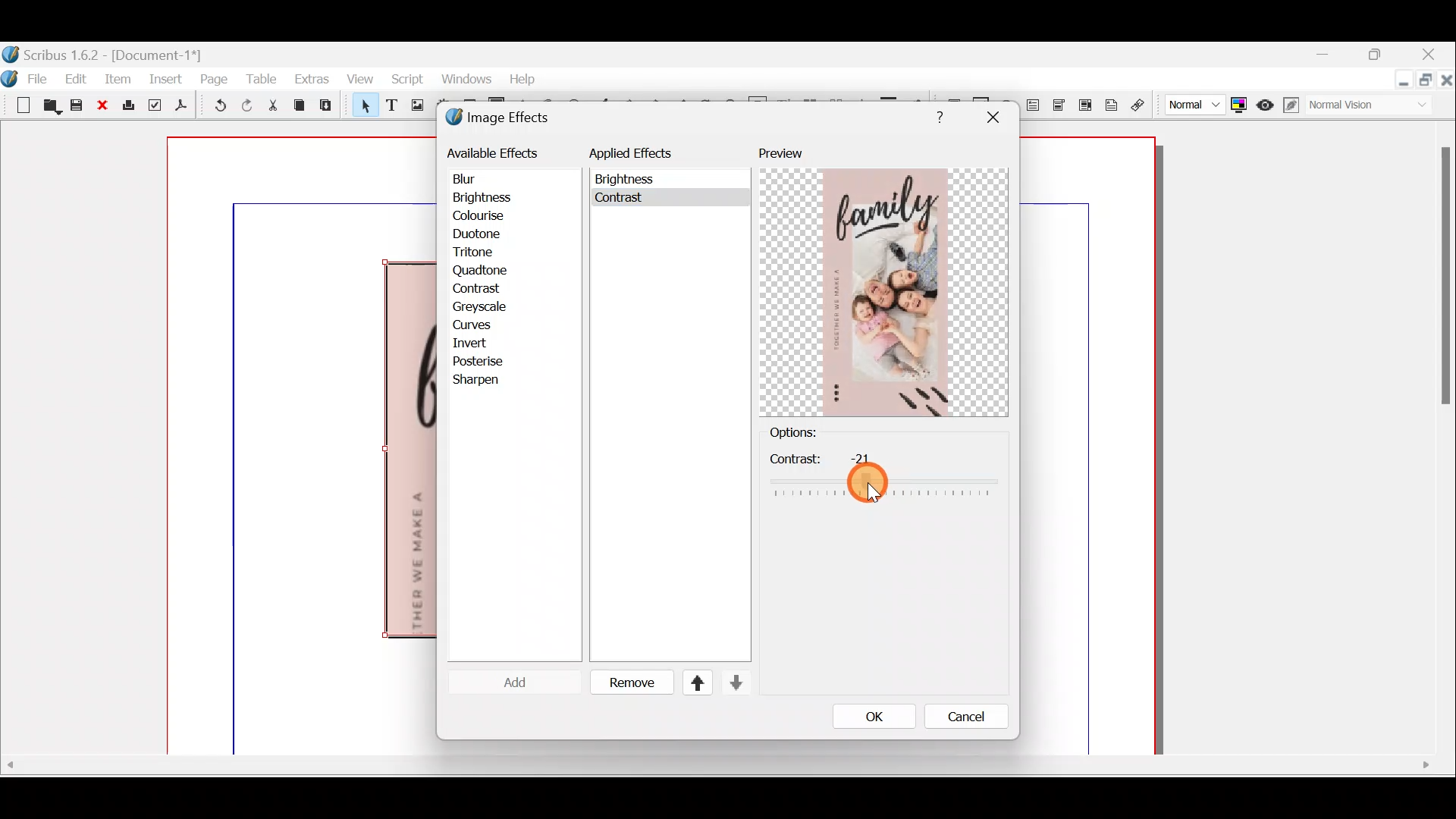  What do you see at coordinates (495, 152) in the screenshot?
I see `Available effects` at bounding box center [495, 152].